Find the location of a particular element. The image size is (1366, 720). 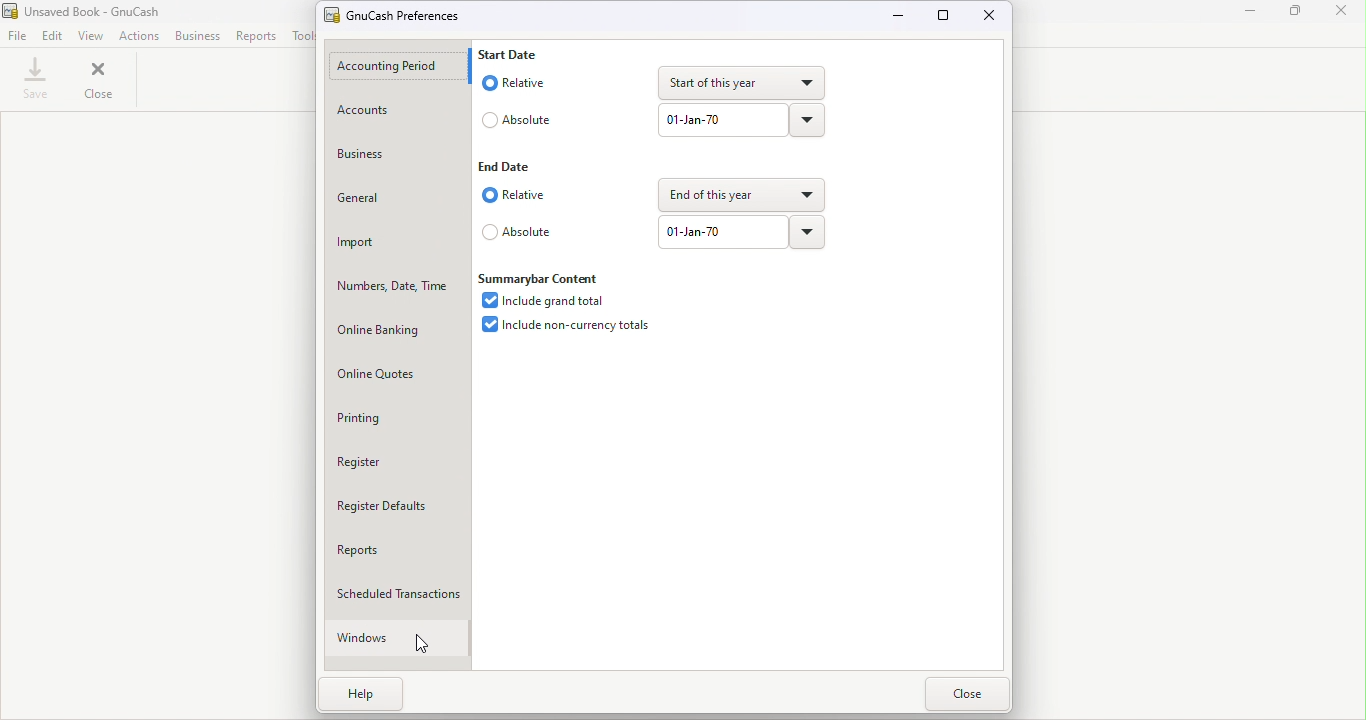

Printing is located at coordinates (399, 417).